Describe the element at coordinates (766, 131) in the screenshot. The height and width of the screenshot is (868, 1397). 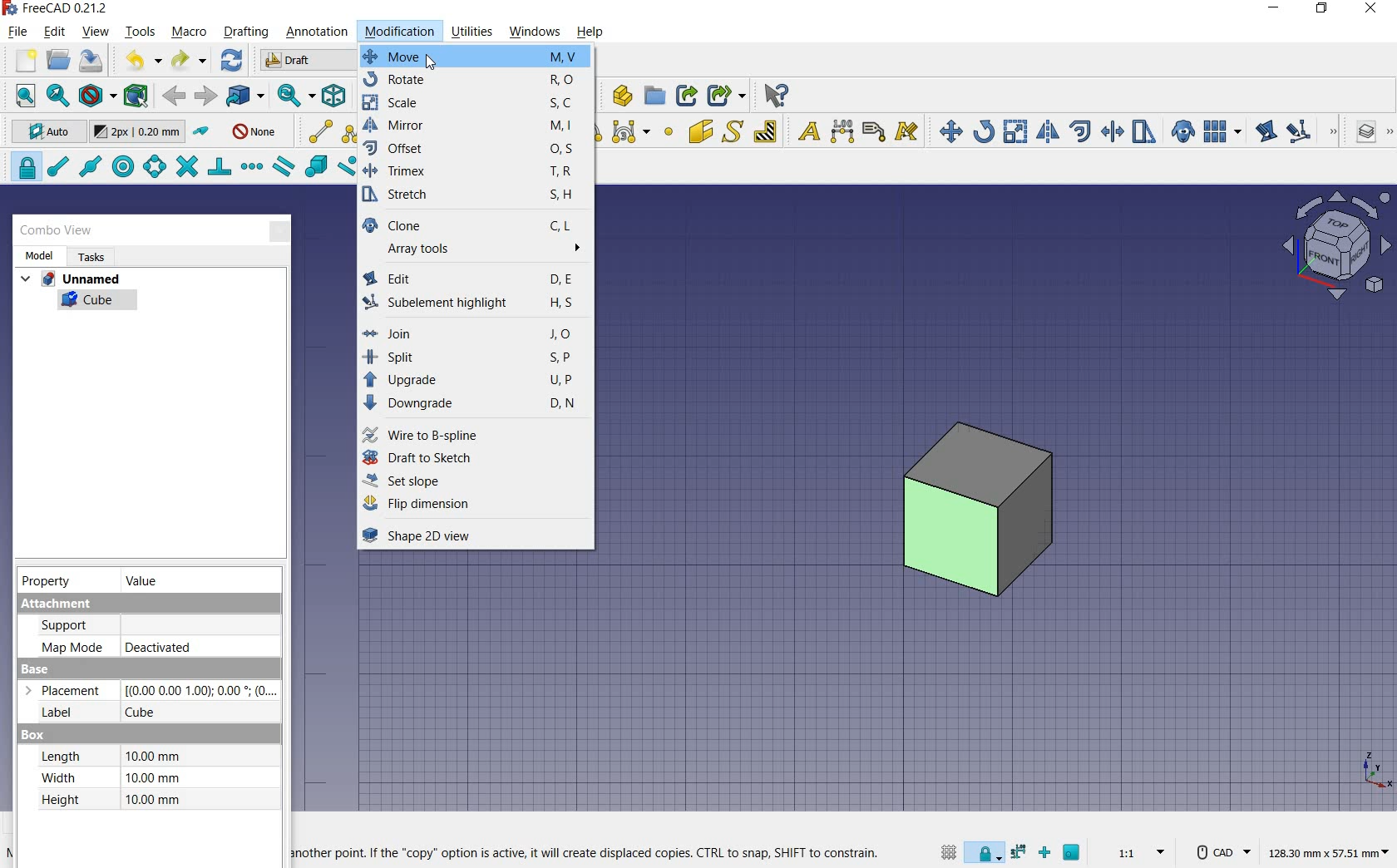
I see `hatch` at that location.